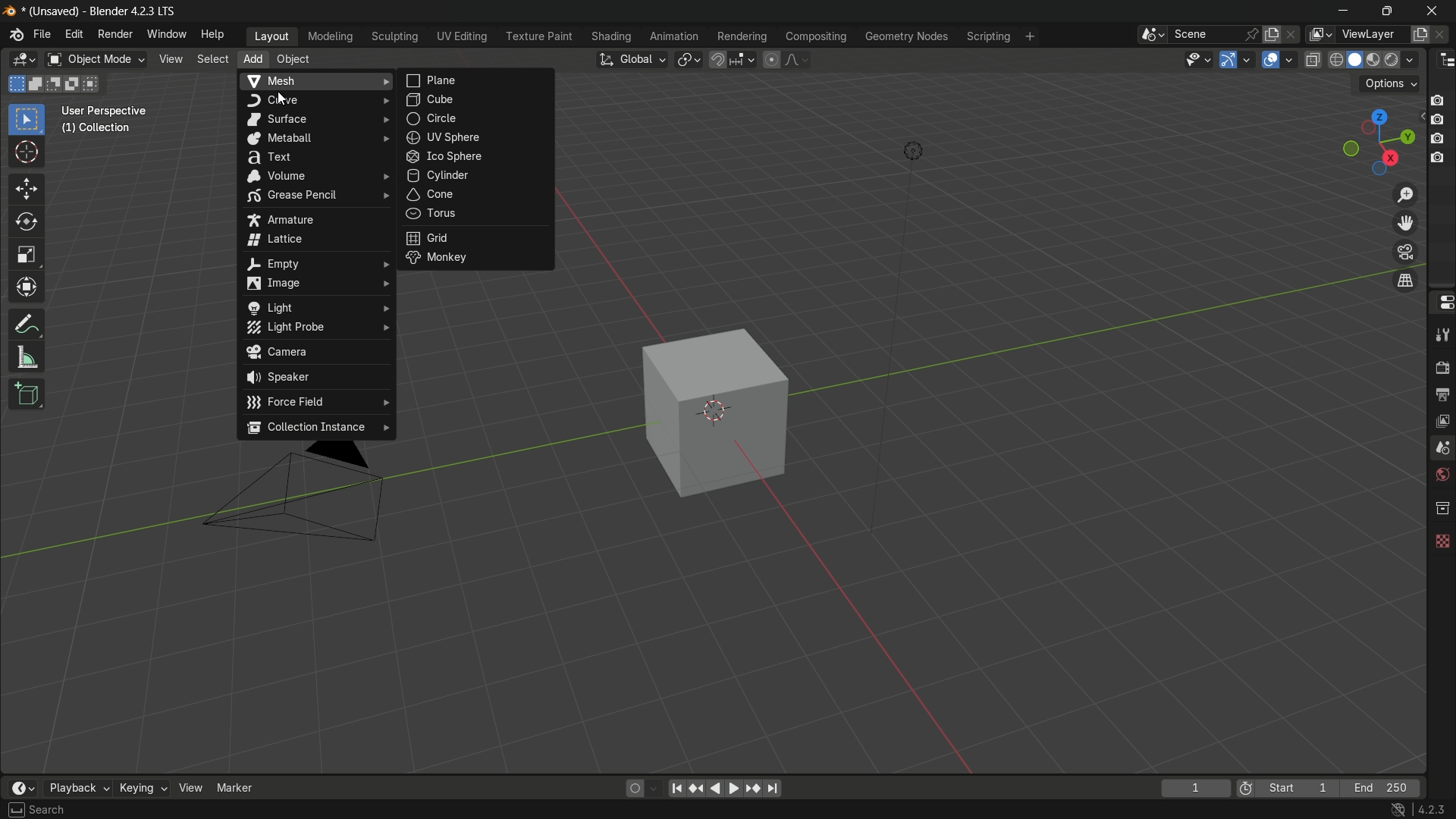  Describe the element at coordinates (315, 120) in the screenshot. I see `surface` at that location.